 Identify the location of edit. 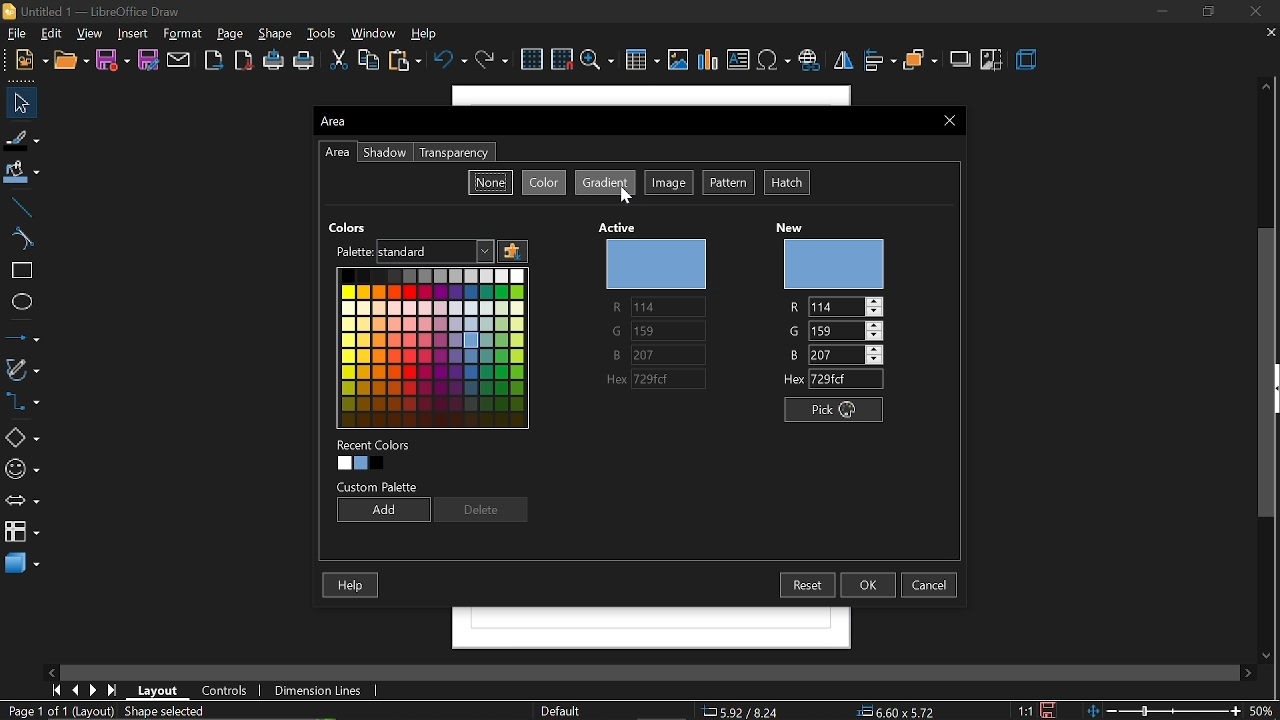
(51, 34).